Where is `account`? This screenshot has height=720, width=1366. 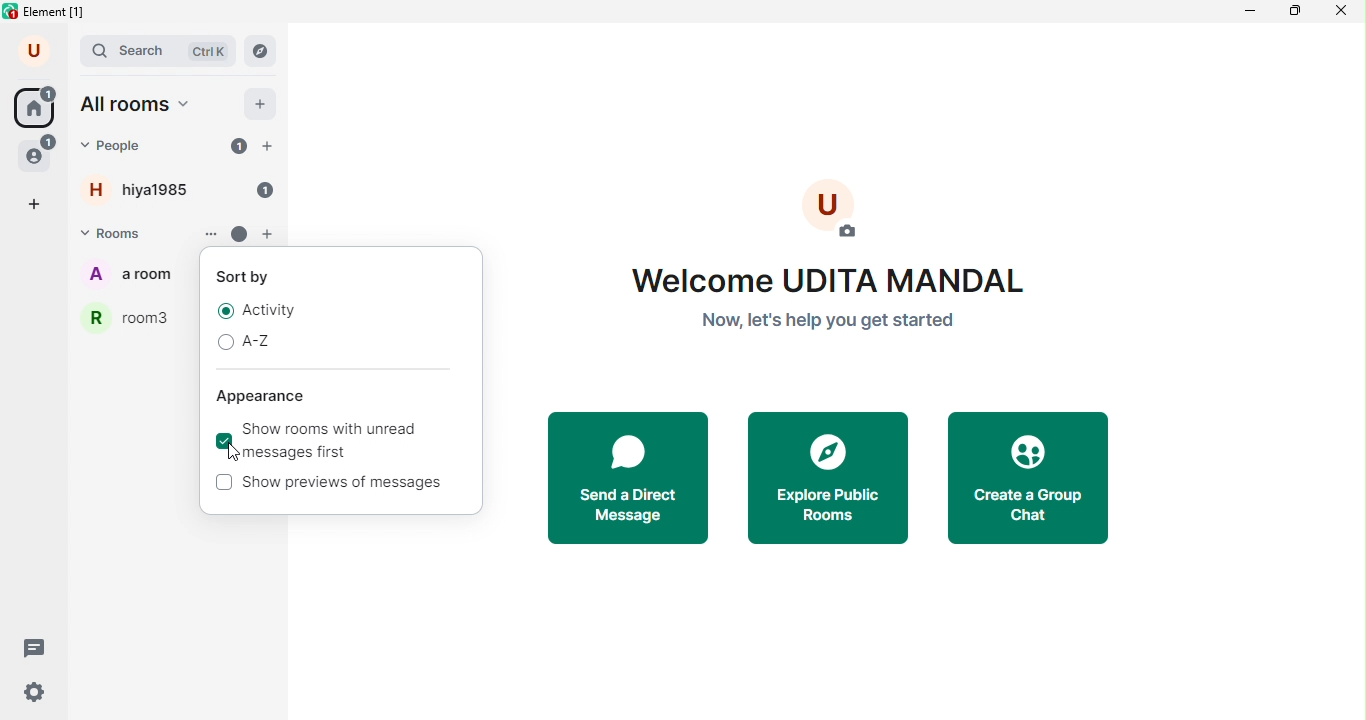 account is located at coordinates (37, 49).